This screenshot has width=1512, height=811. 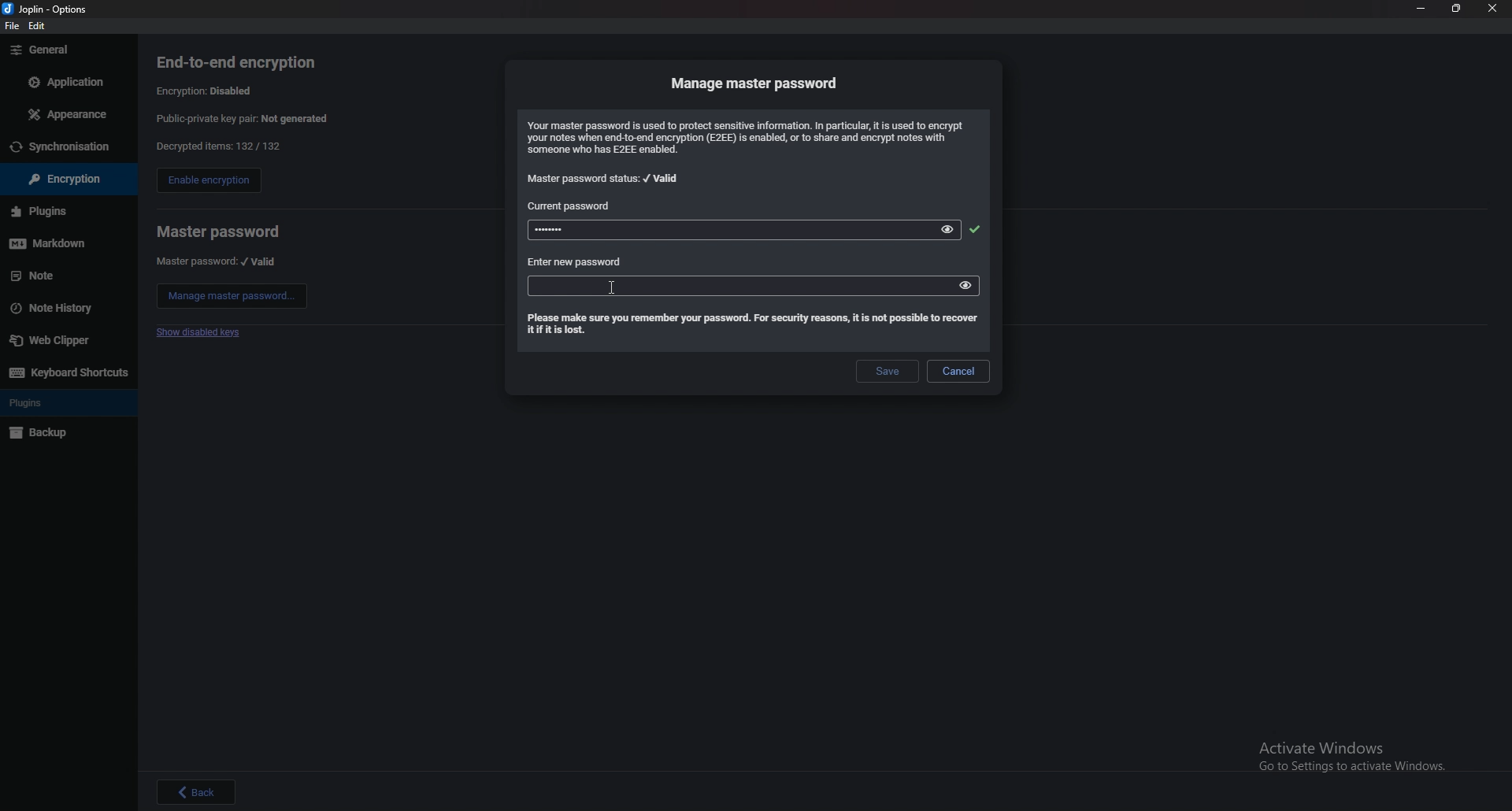 What do you see at coordinates (61, 434) in the screenshot?
I see `backup` at bounding box center [61, 434].